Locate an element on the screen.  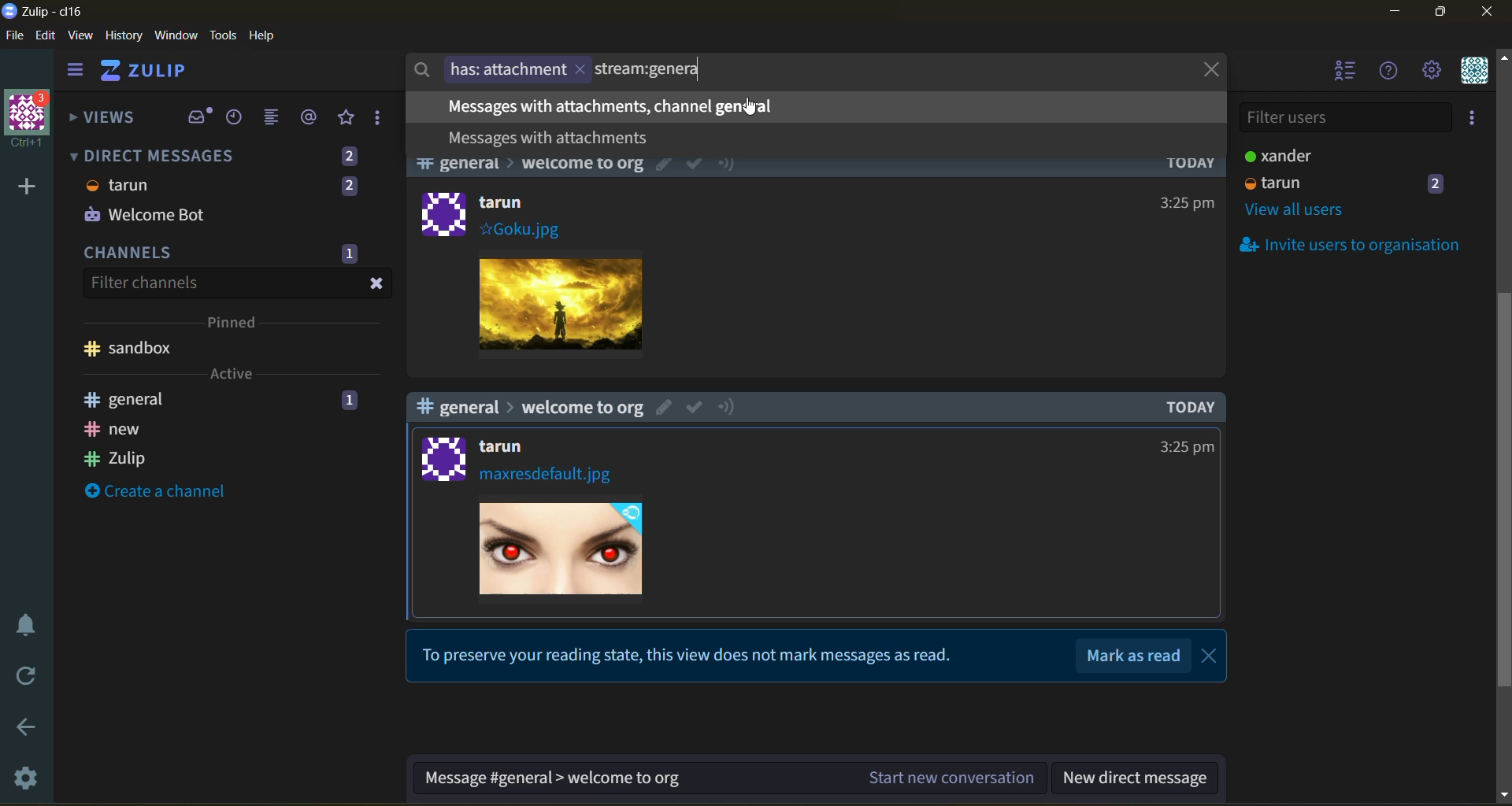
drafts and reactions is located at coordinates (379, 119).